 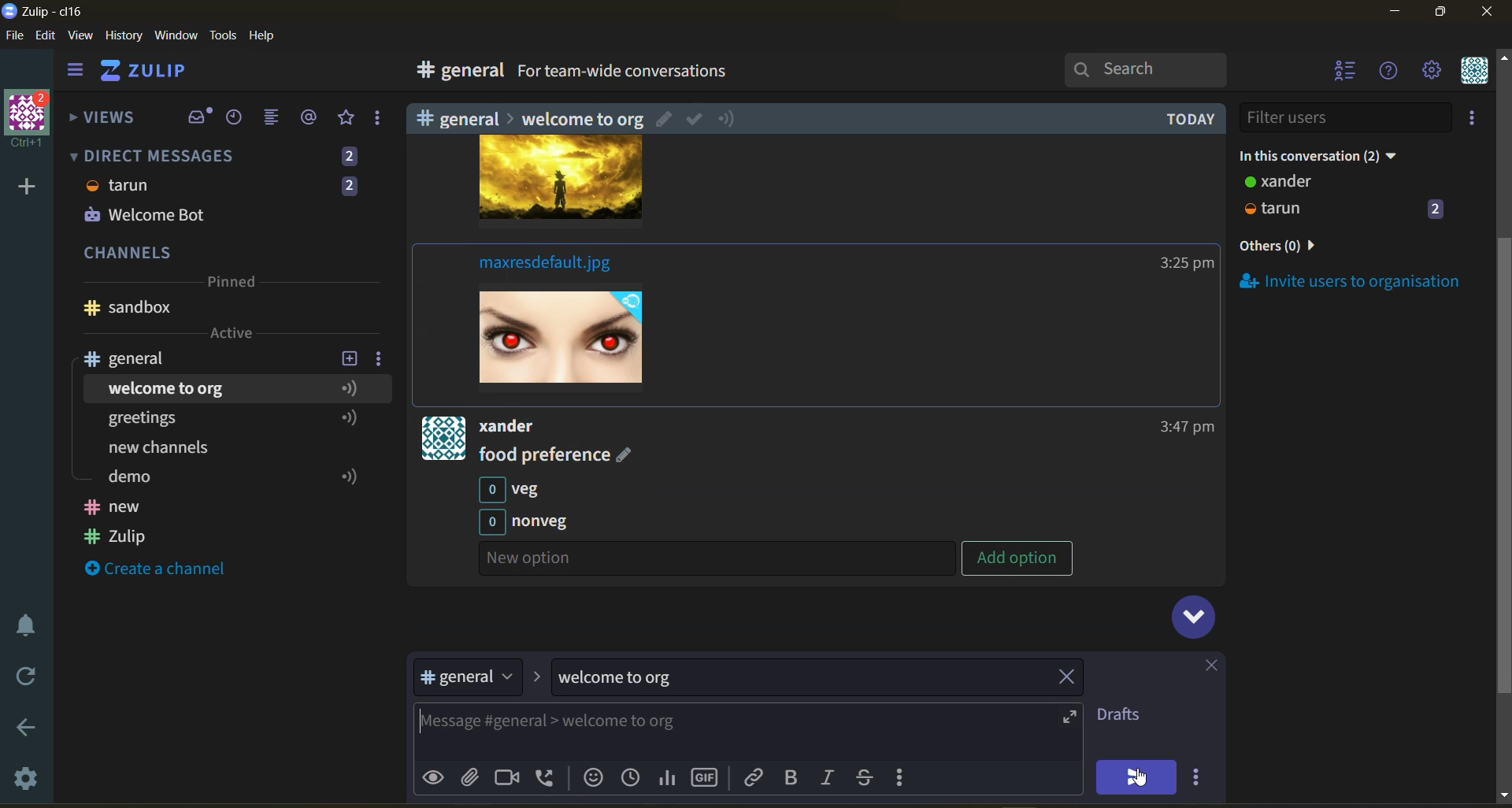 I want to click on strikethrough, so click(x=869, y=776).